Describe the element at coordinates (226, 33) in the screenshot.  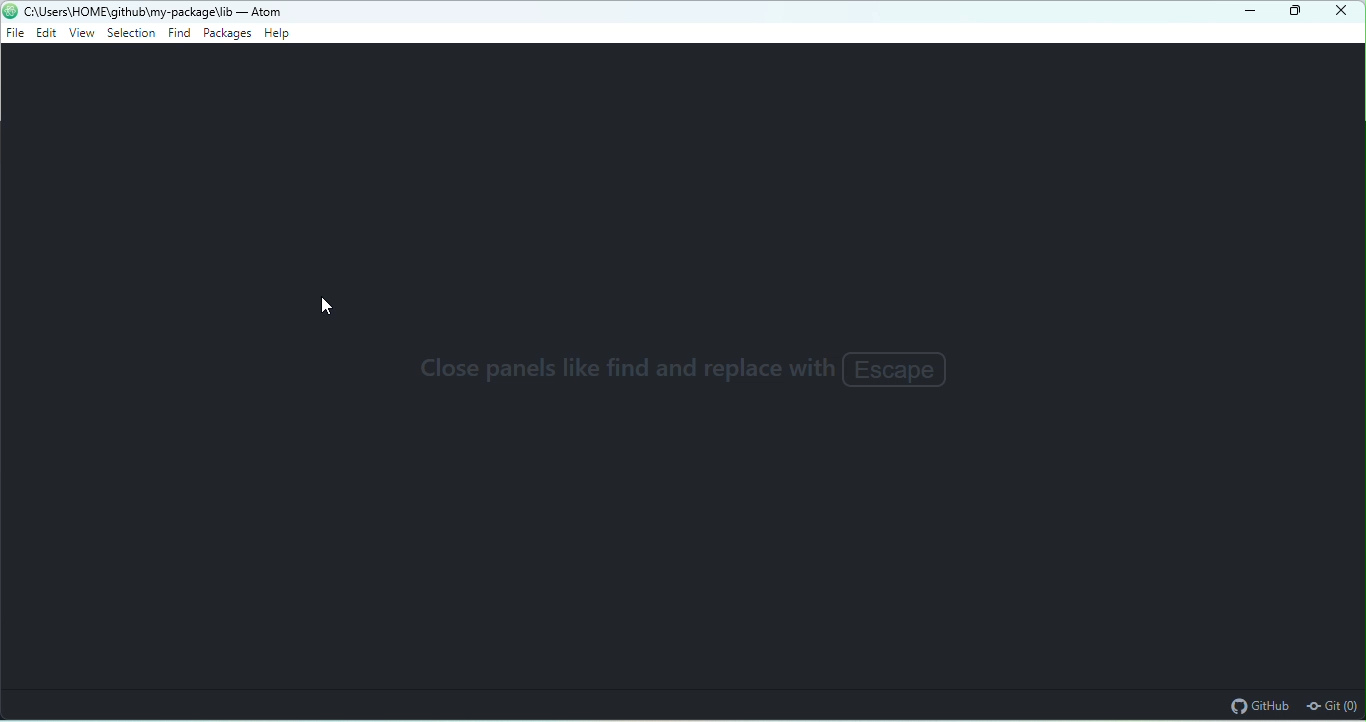
I see `packages` at that location.